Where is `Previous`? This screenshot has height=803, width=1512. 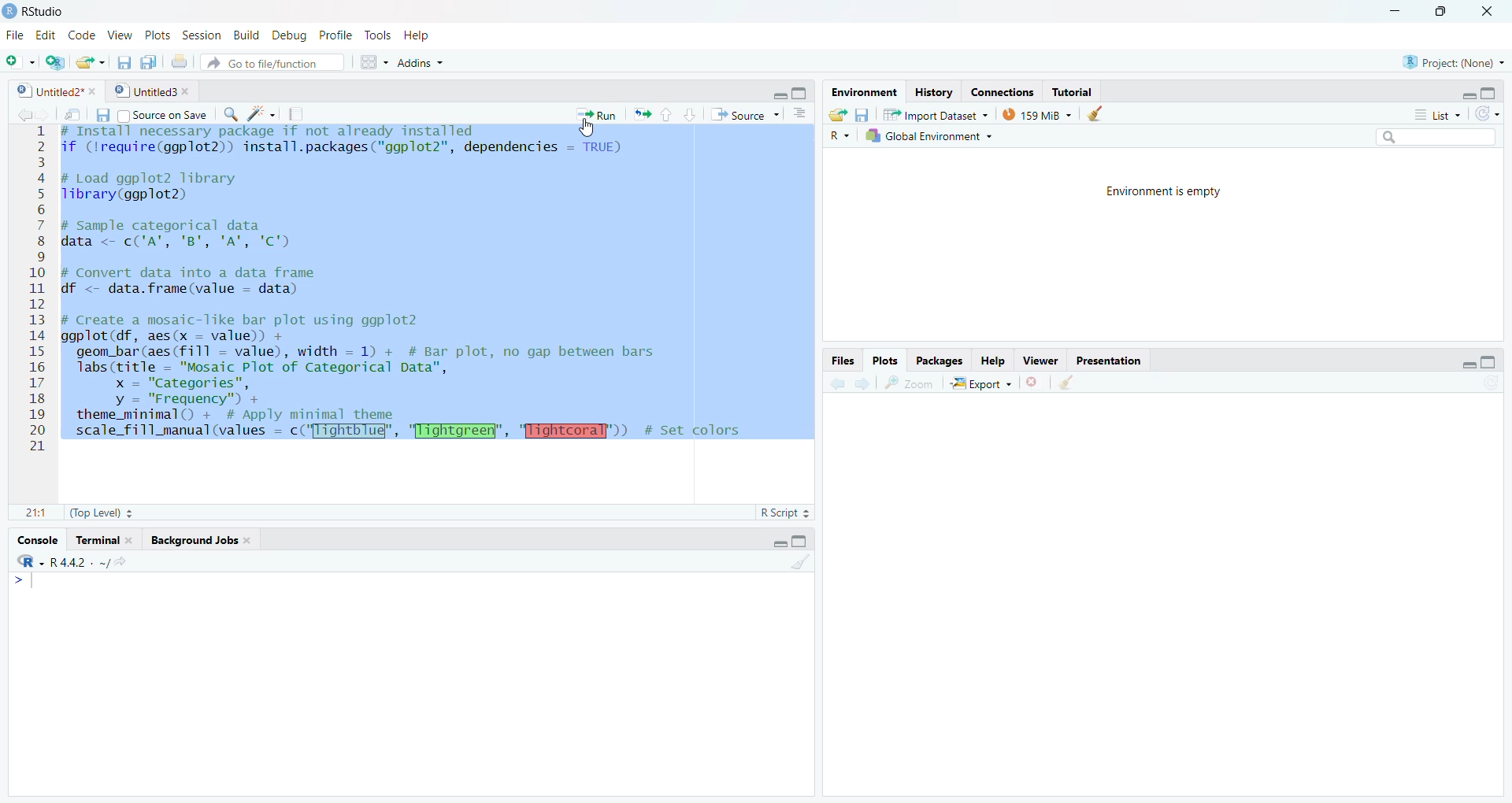 Previous is located at coordinates (835, 385).